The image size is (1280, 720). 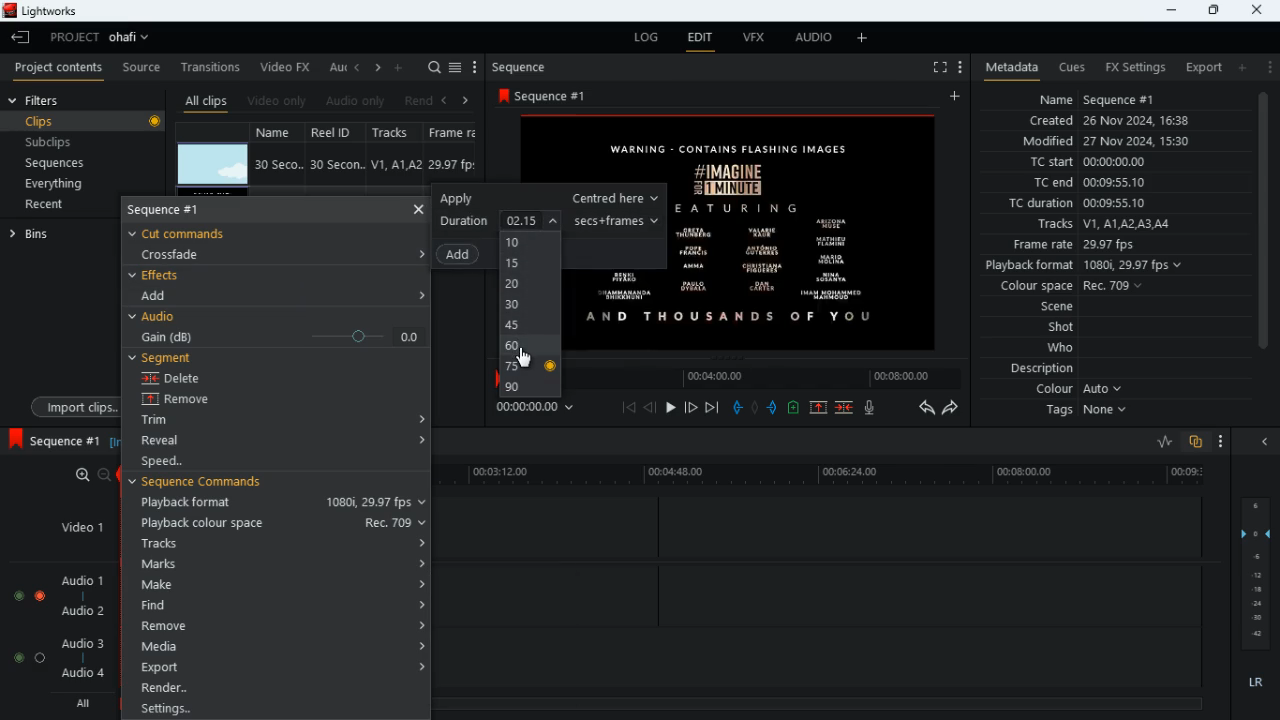 What do you see at coordinates (755, 408) in the screenshot?
I see `hold` at bounding box center [755, 408].